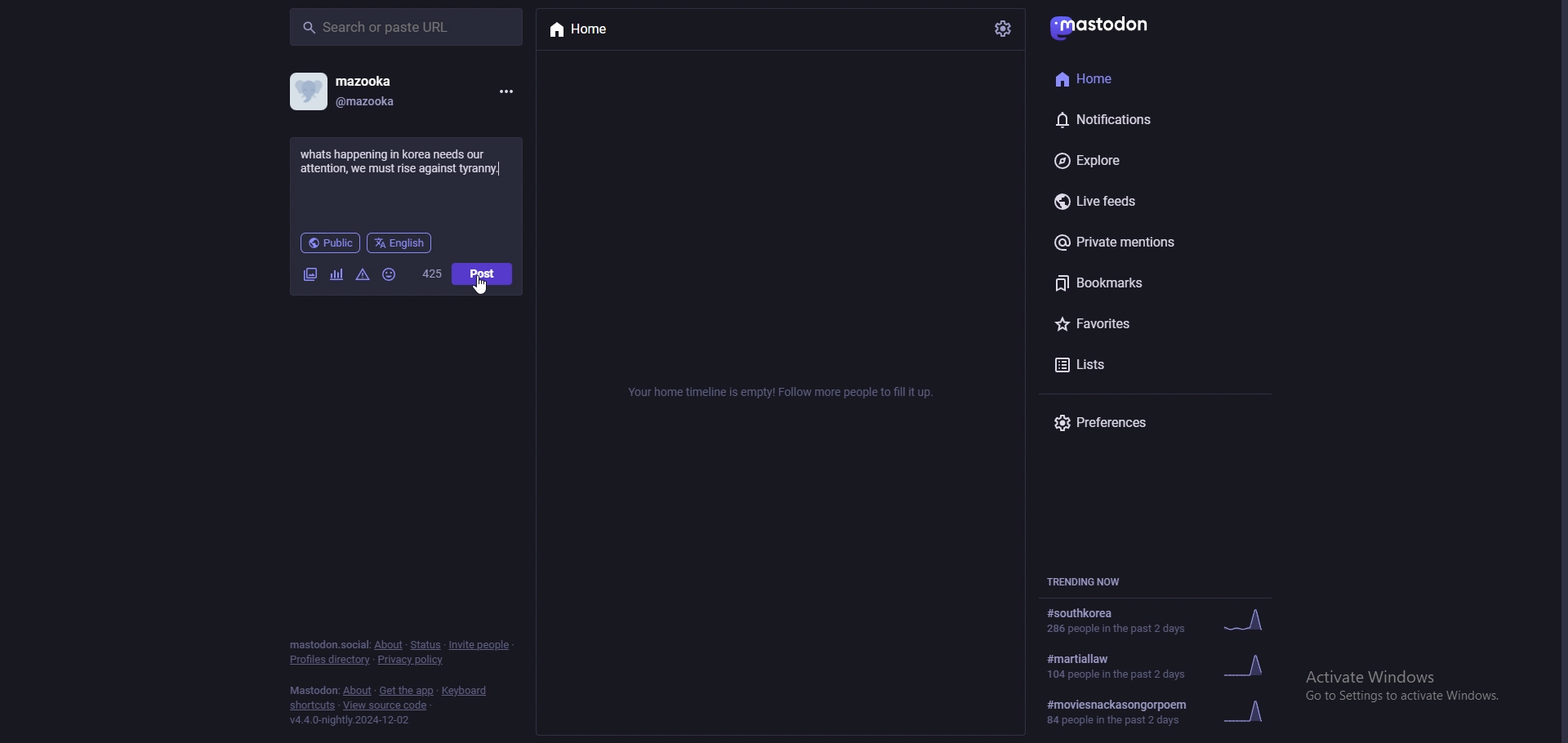 The height and width of the screenshot is (743, 1568). Describe the element at coordinates (481, 646) in the screenshot. I see `invite people` at that location.